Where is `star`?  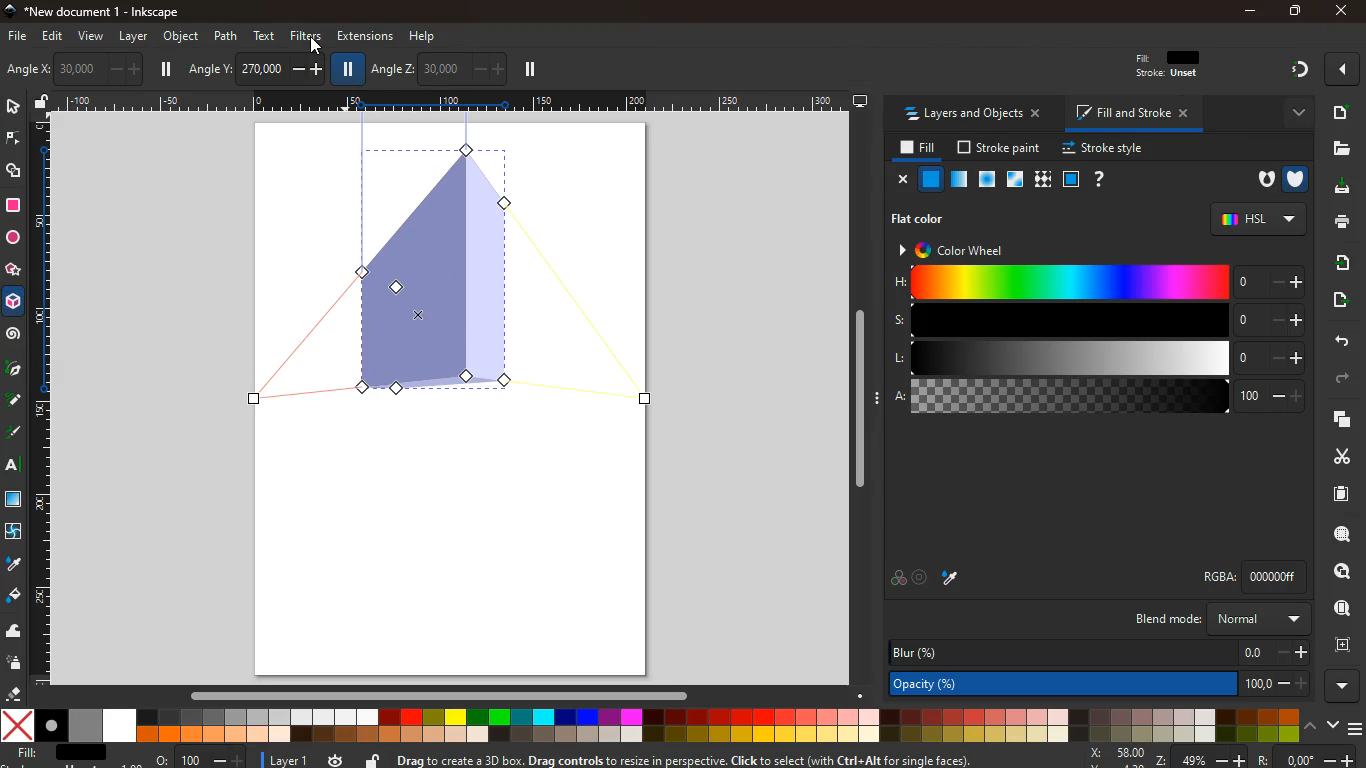
star is located at coordinates (14, 271).